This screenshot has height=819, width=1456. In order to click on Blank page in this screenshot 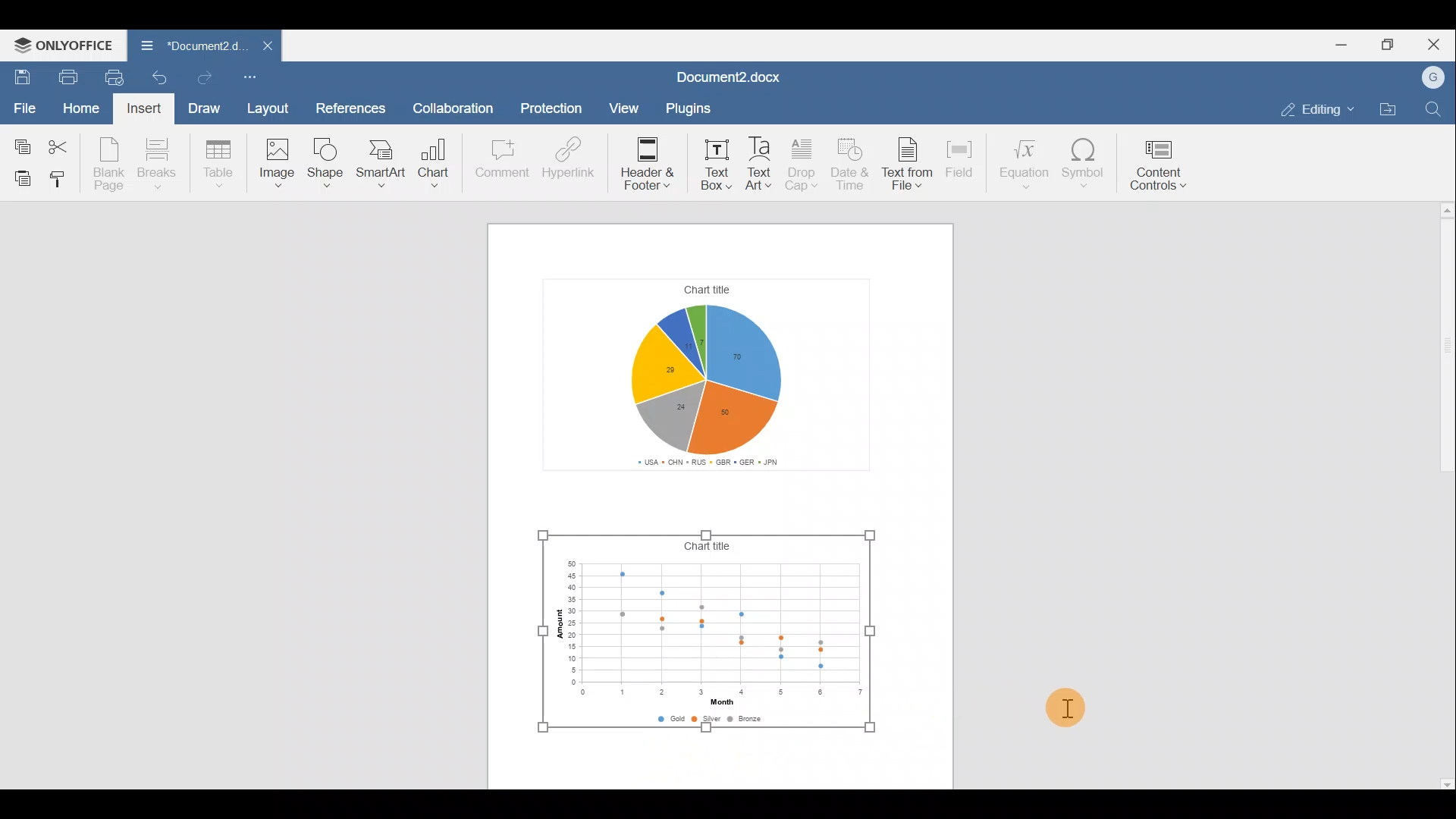, I will do `click(111, 165)`.